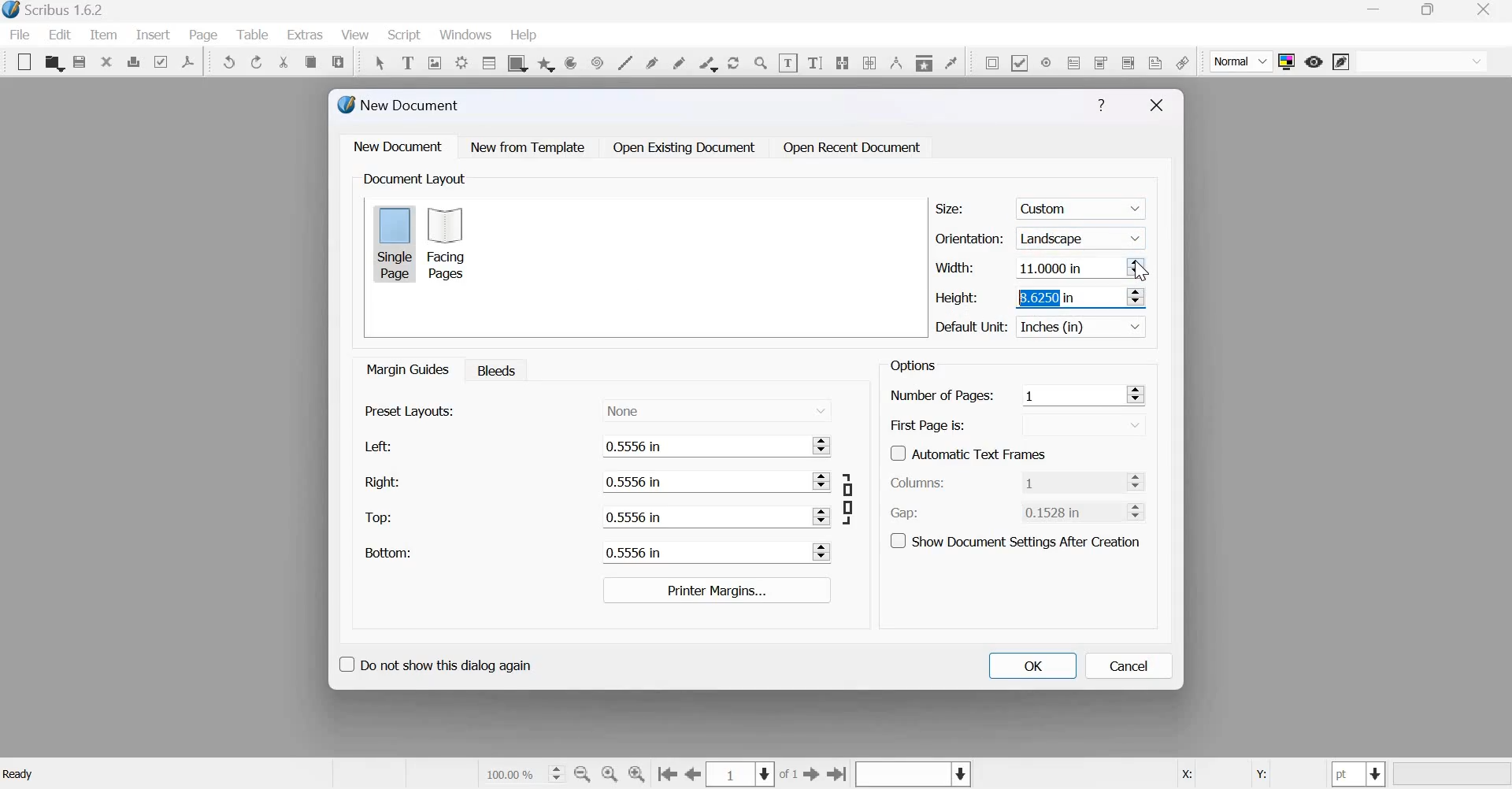 The width and height of the screenshot is (1512, 789). I want to click on go to the next page, so click(812, 773).